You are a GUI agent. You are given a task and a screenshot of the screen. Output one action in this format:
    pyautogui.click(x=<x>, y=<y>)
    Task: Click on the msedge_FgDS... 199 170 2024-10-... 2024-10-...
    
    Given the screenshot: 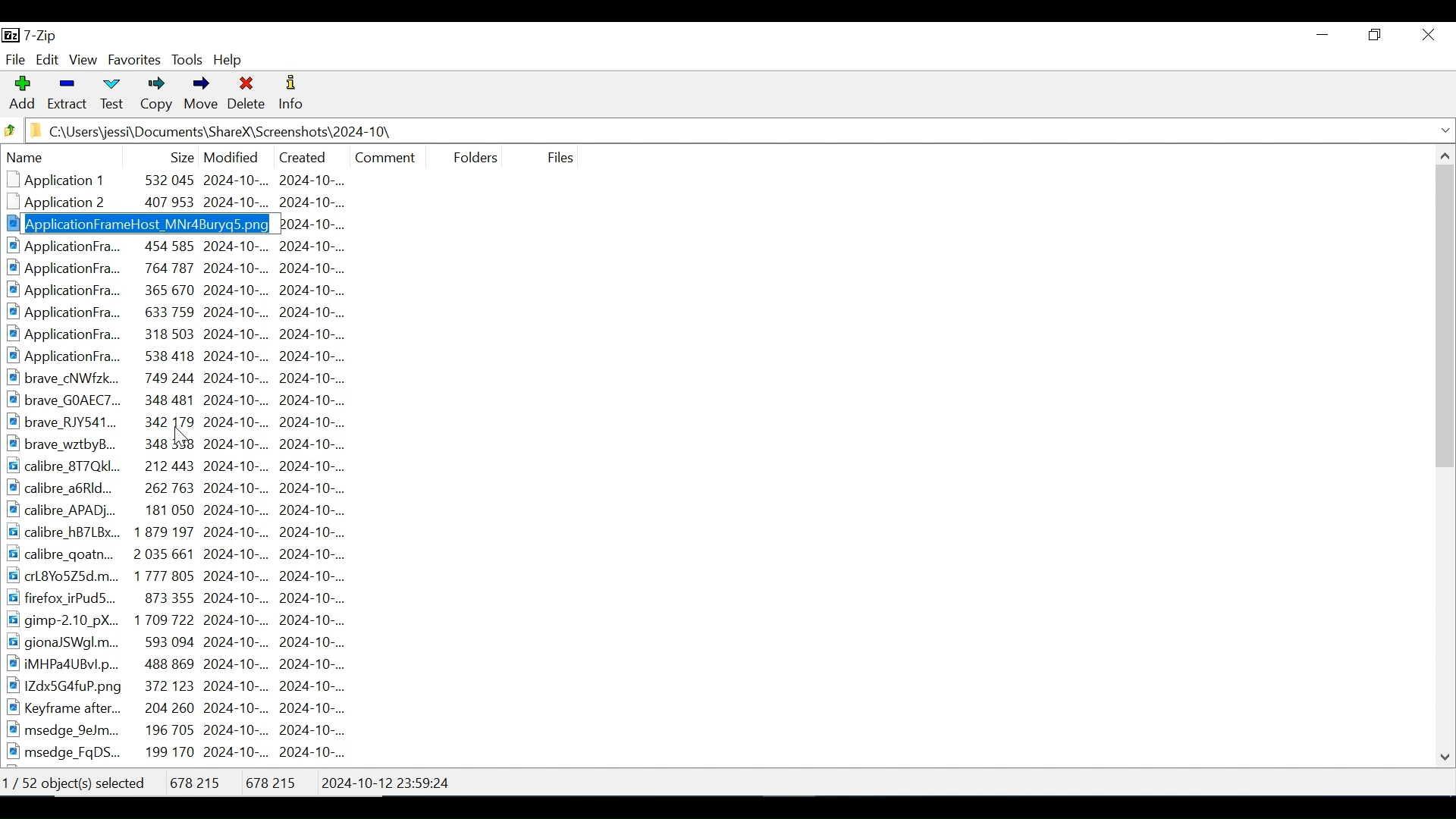 What is the action you would take?
    pyautogui.click(x=178, y=753)
    